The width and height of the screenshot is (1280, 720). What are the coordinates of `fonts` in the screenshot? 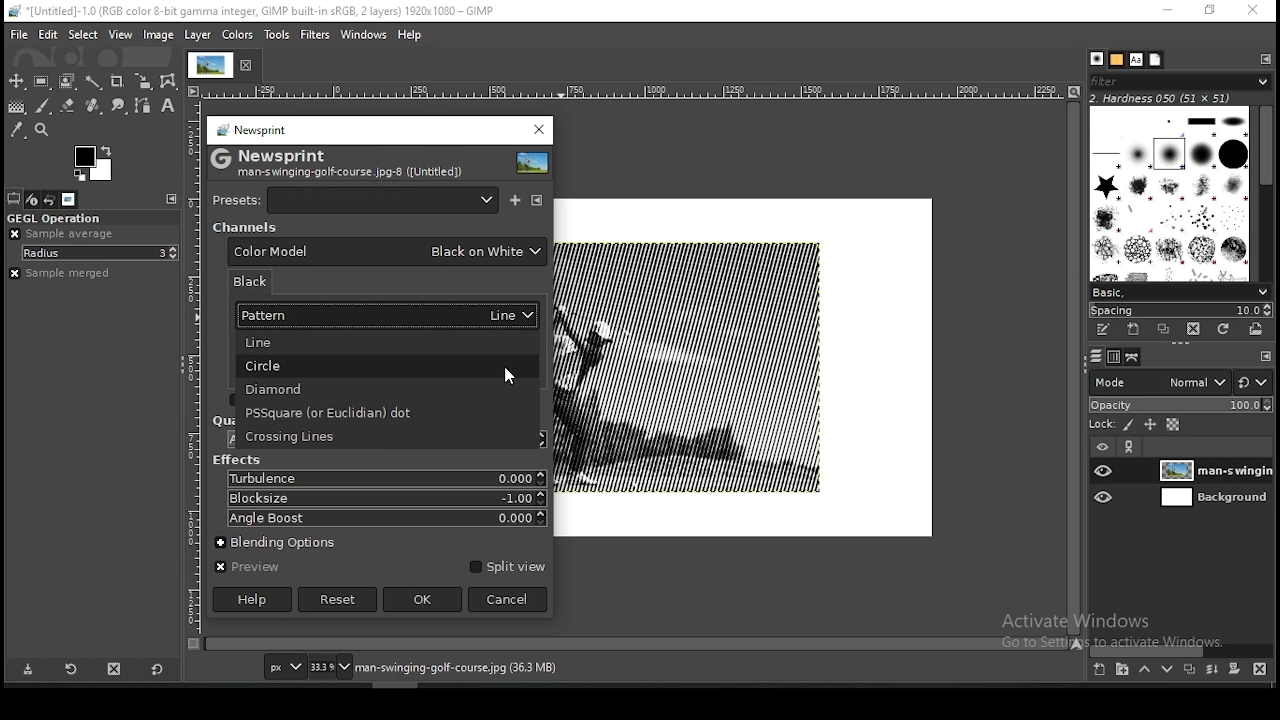 It's located at (1137, 60).